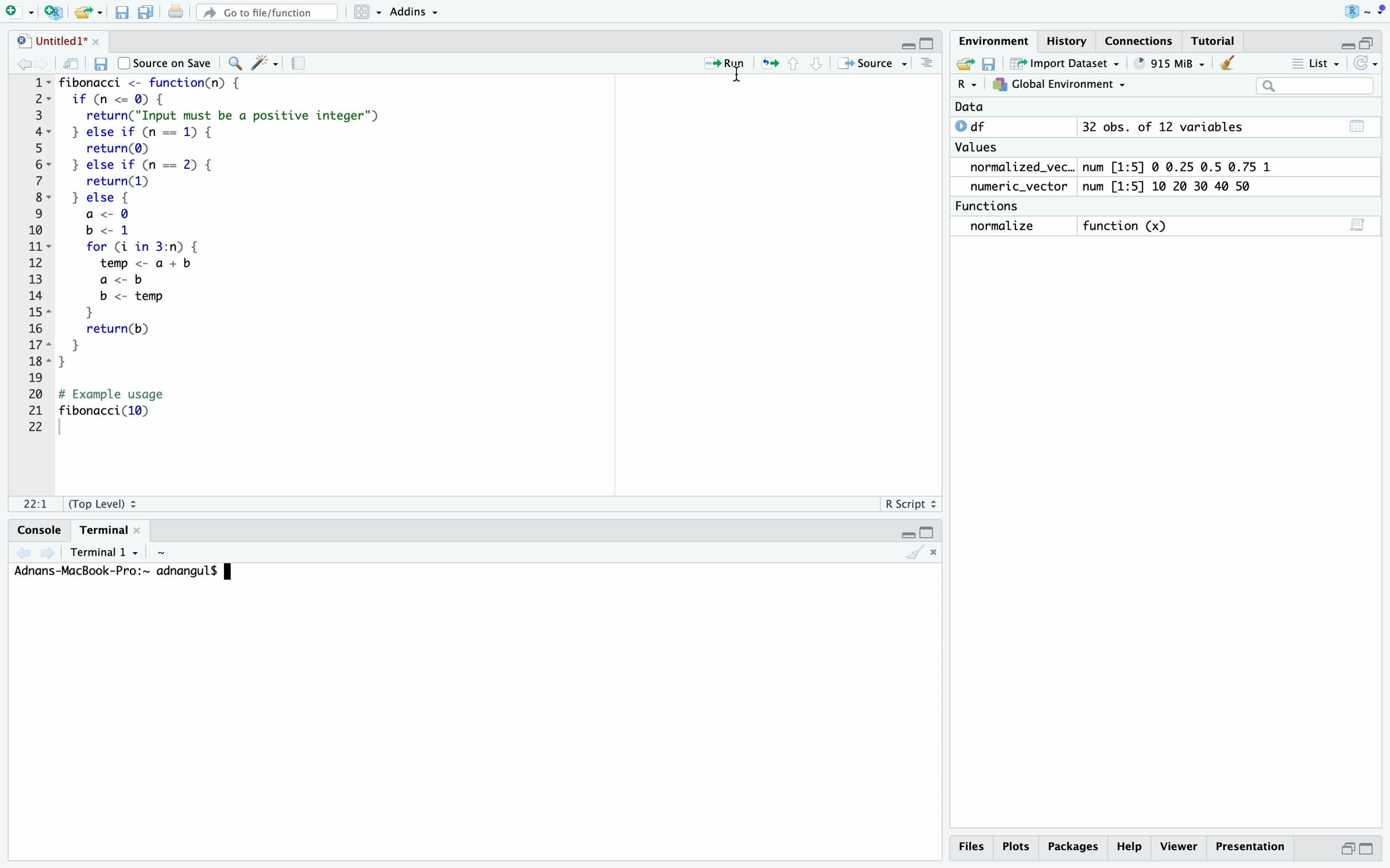 The height and width of the screenshot is (868, 1390). What do you see at coordinates (979, 147) in the screenshot?
I see `values` at bounding box center [979, 147].